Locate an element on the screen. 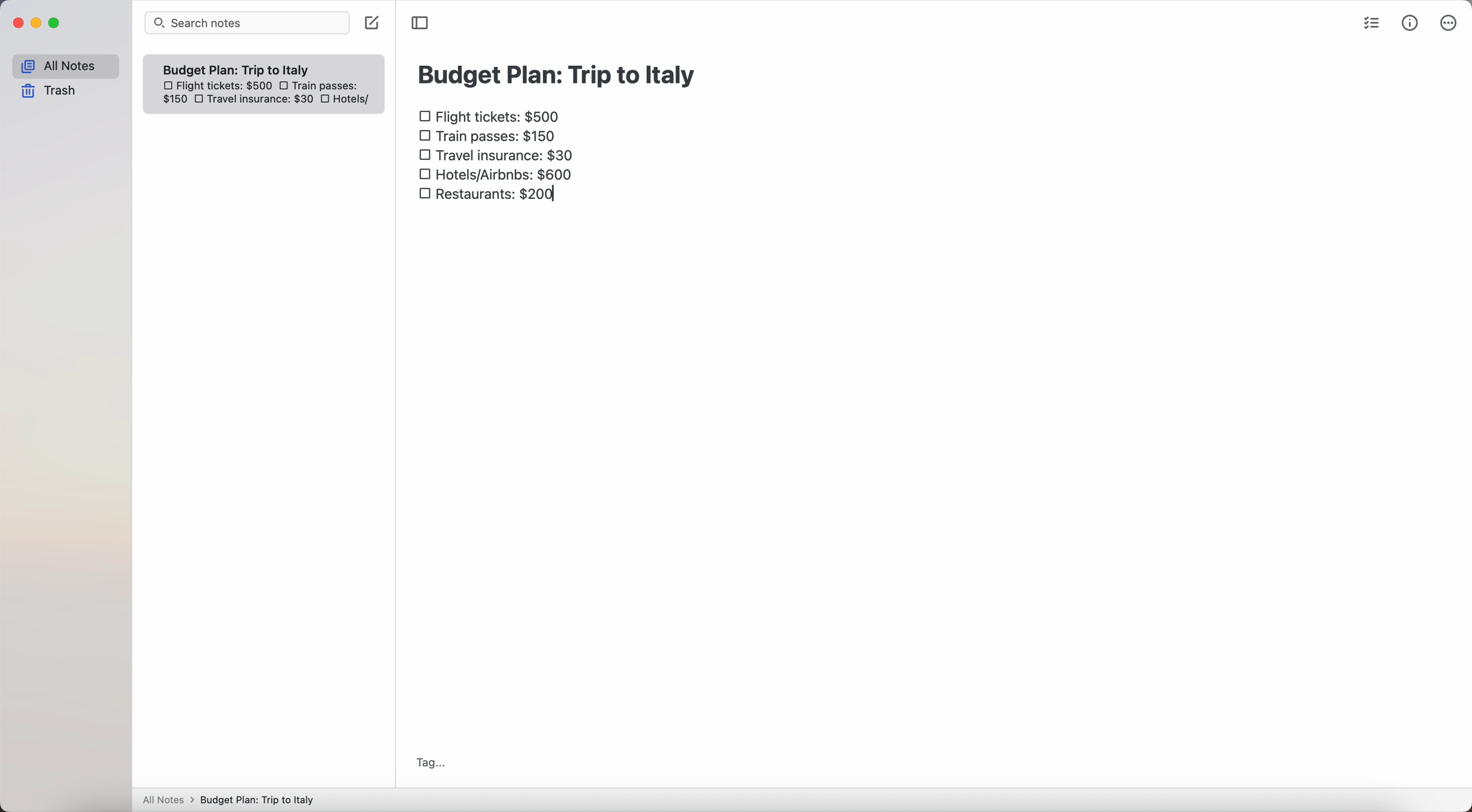 The width and height of the screenshot is (1472, 812). All notes > Budget Plan: Trip to Italy is located at coordinates (234, 799).